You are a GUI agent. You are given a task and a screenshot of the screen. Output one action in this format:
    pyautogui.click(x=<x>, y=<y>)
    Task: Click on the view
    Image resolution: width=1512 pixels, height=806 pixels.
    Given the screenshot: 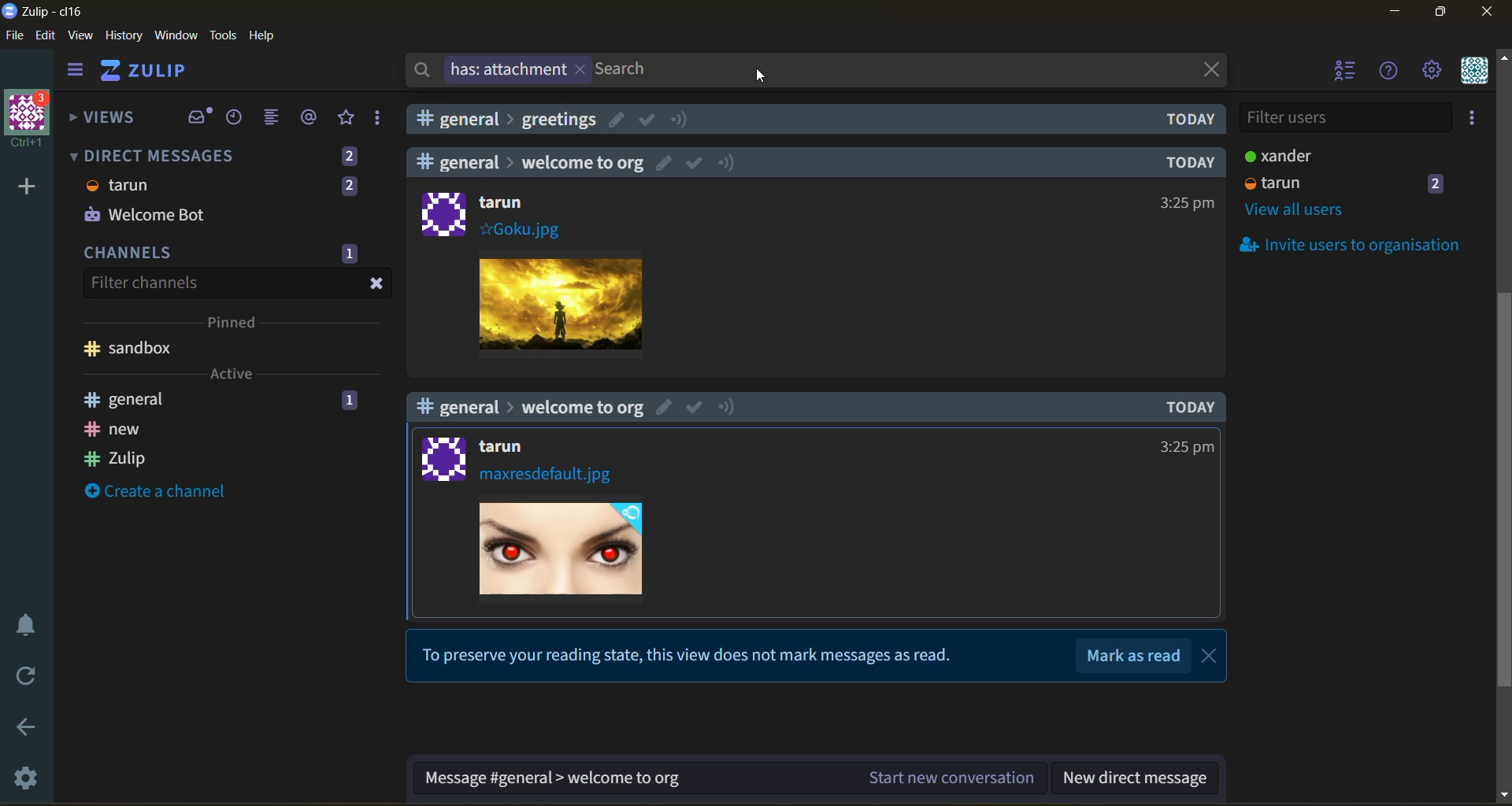 What is the action you would take?
    pyautogui.click(x=80, y=35)
    